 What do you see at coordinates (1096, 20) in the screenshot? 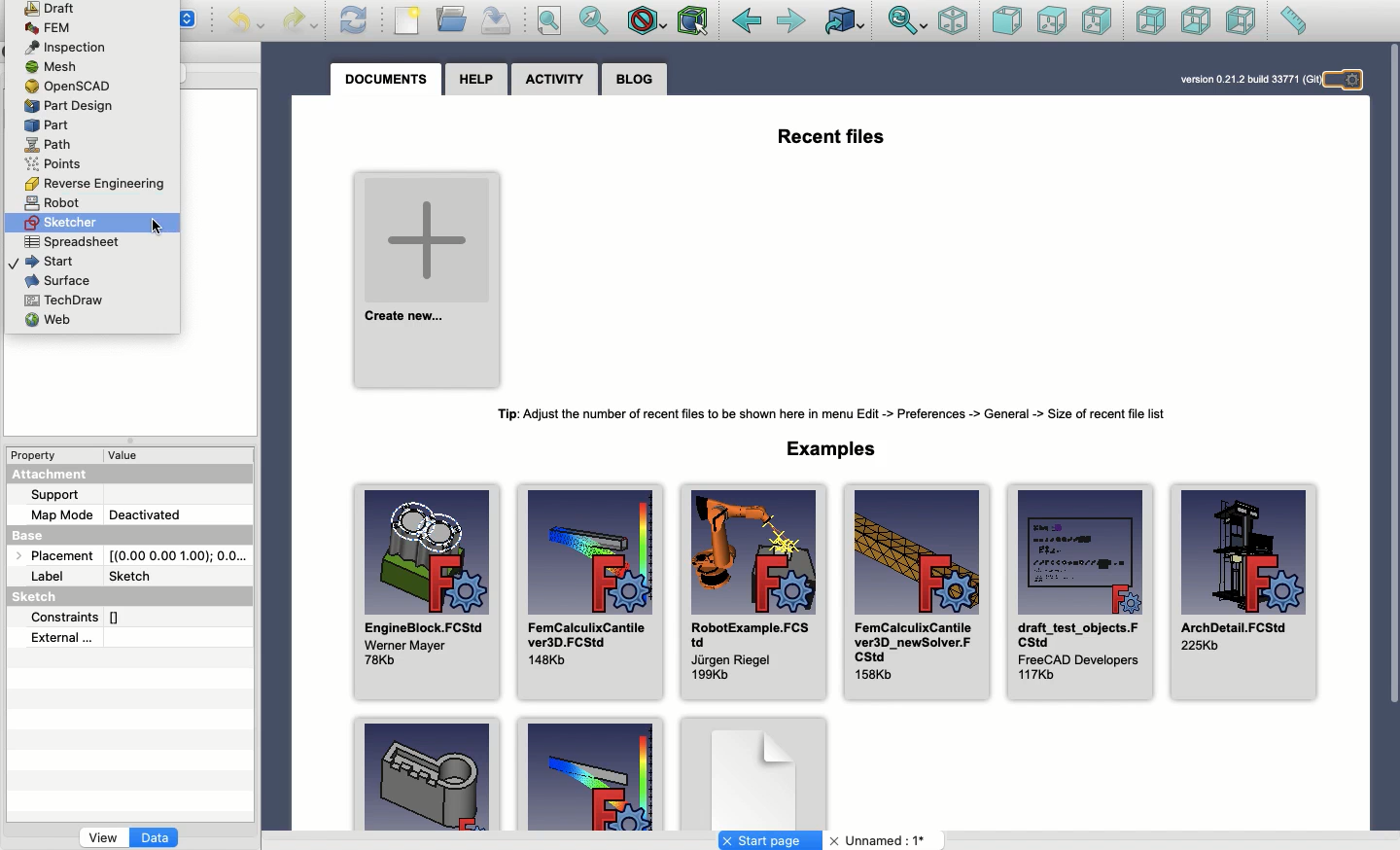
I see `Right` at bounding box center [1096, 20].